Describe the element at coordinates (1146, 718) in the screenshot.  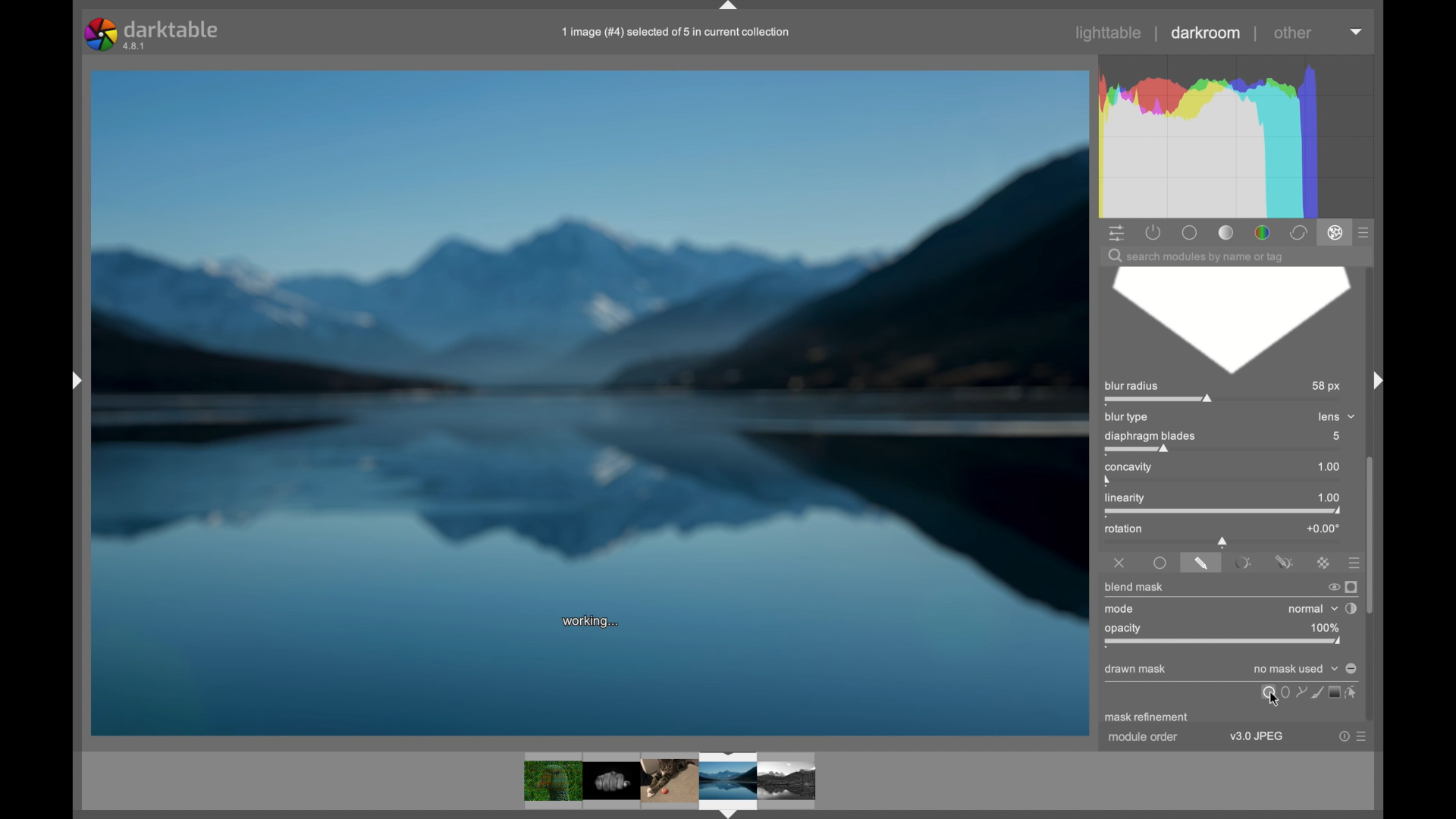
I see `mask refinement` at that location.